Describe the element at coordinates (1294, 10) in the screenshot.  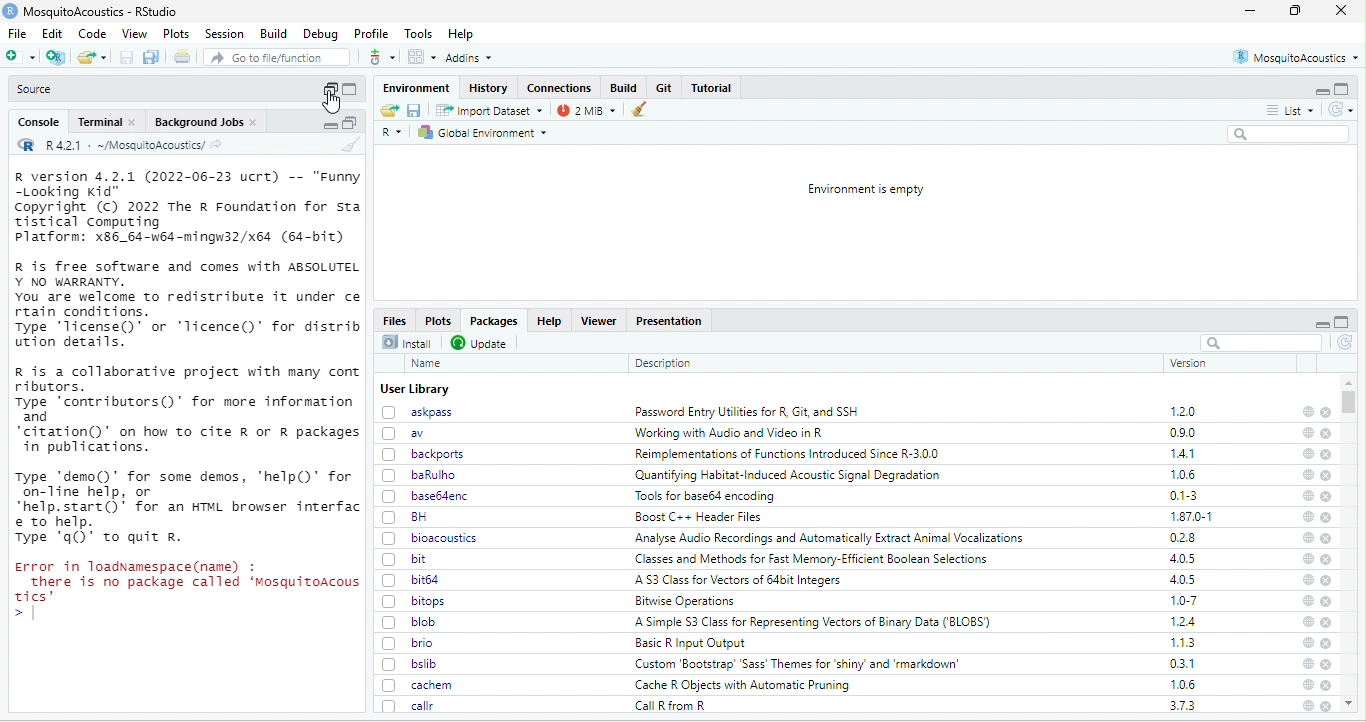
I see `full screen` at that location.